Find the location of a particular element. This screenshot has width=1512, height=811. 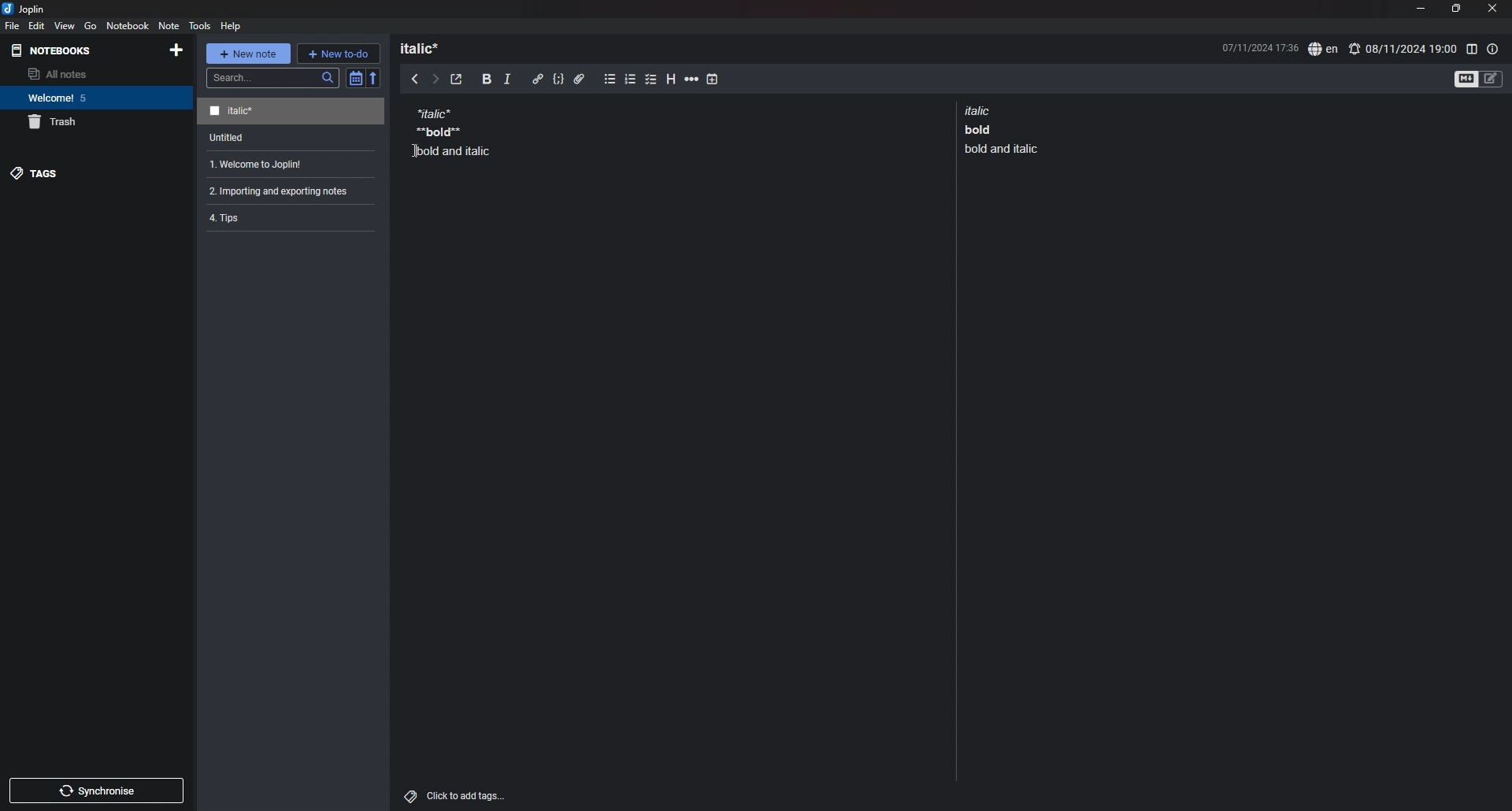

italic is located at coordinates (507, 82).